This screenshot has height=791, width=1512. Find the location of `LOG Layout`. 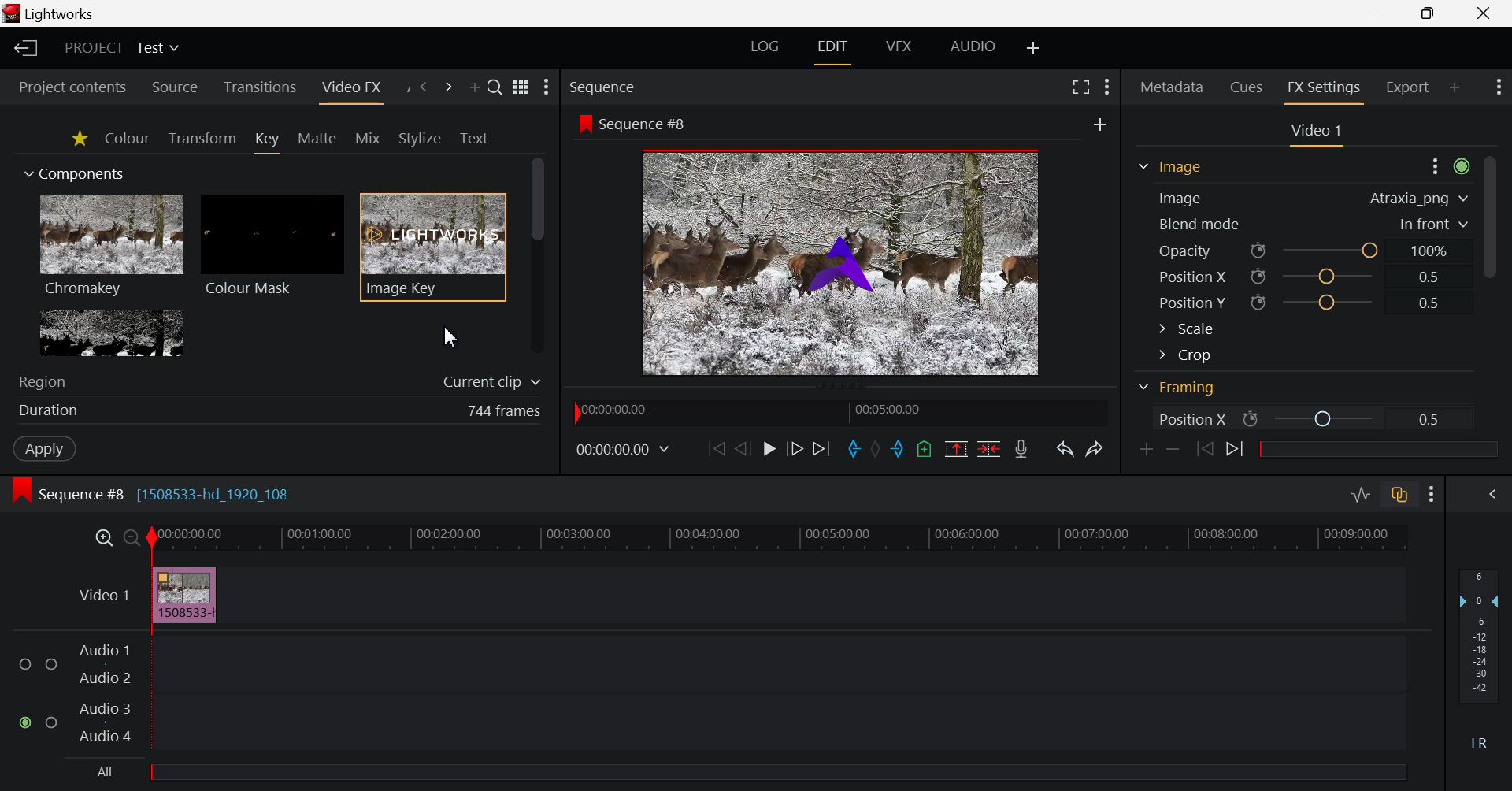

LOG Layout is located at coordinates (769, 47).